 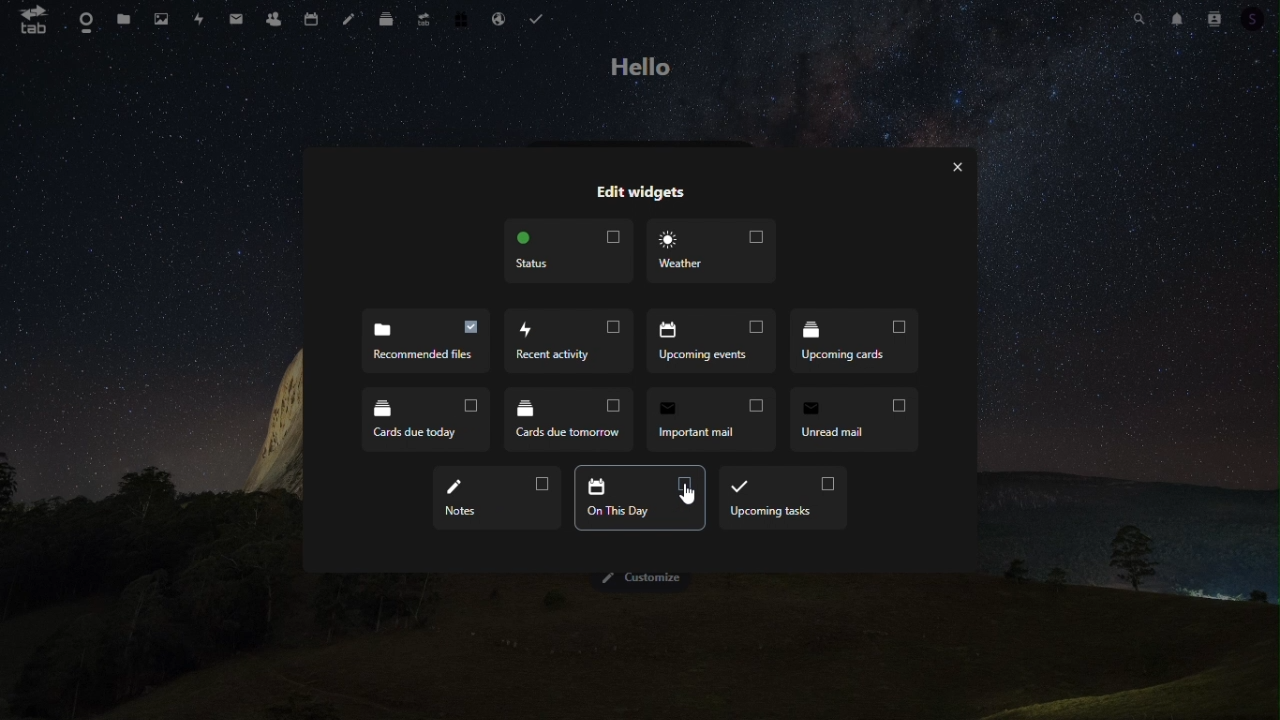 I want to click on Email hosting, so click(x=499, y=22).